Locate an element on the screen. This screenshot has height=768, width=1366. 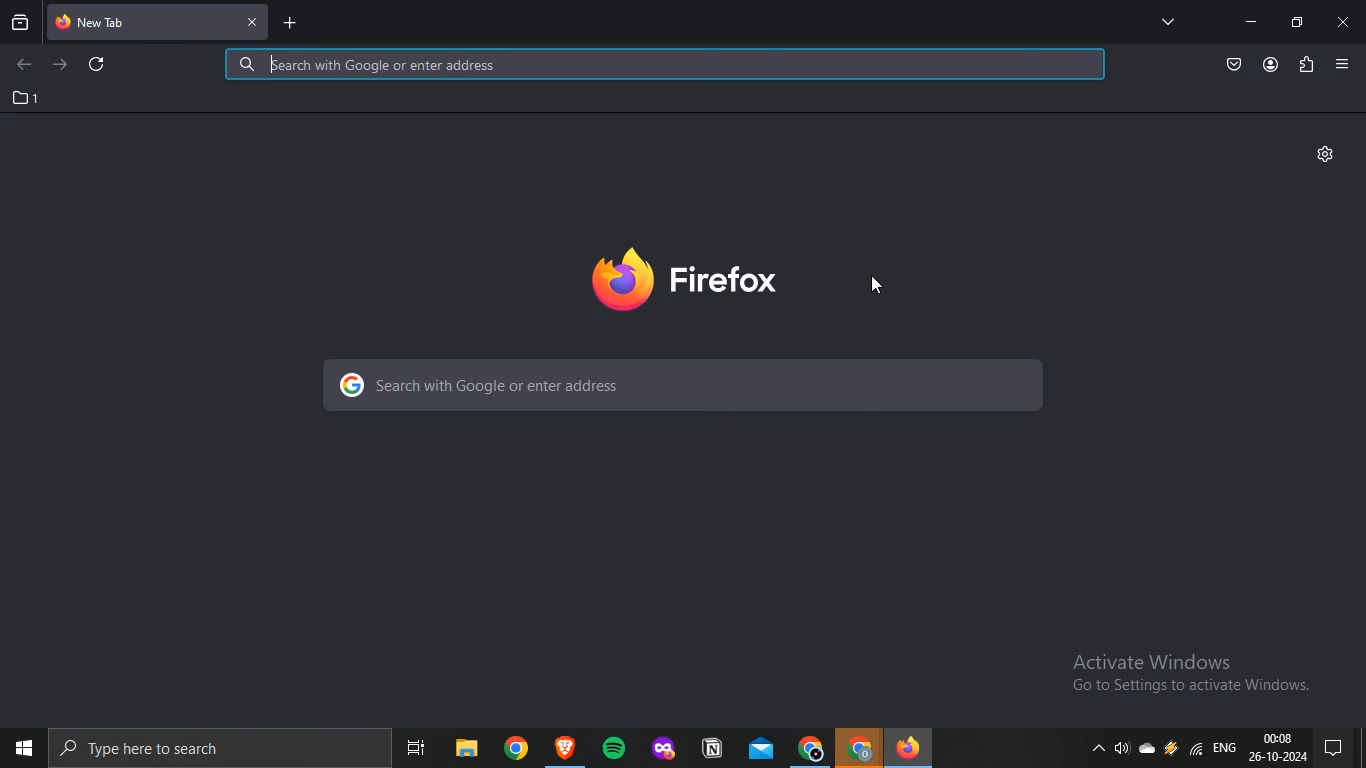
00:08 is located at coordinates (1277, 738).